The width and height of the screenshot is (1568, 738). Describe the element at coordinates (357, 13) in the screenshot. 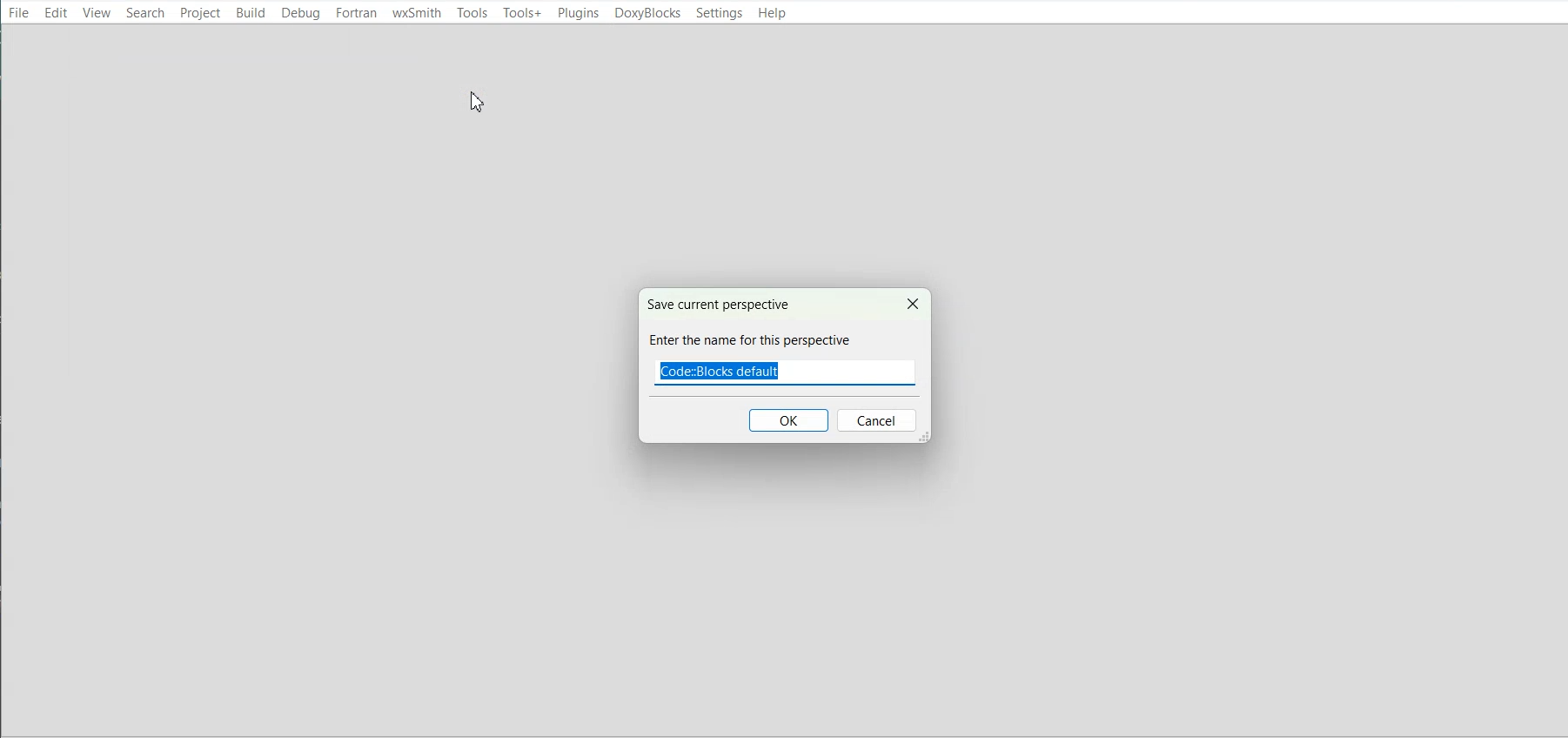

I see `Fortran` at that location.